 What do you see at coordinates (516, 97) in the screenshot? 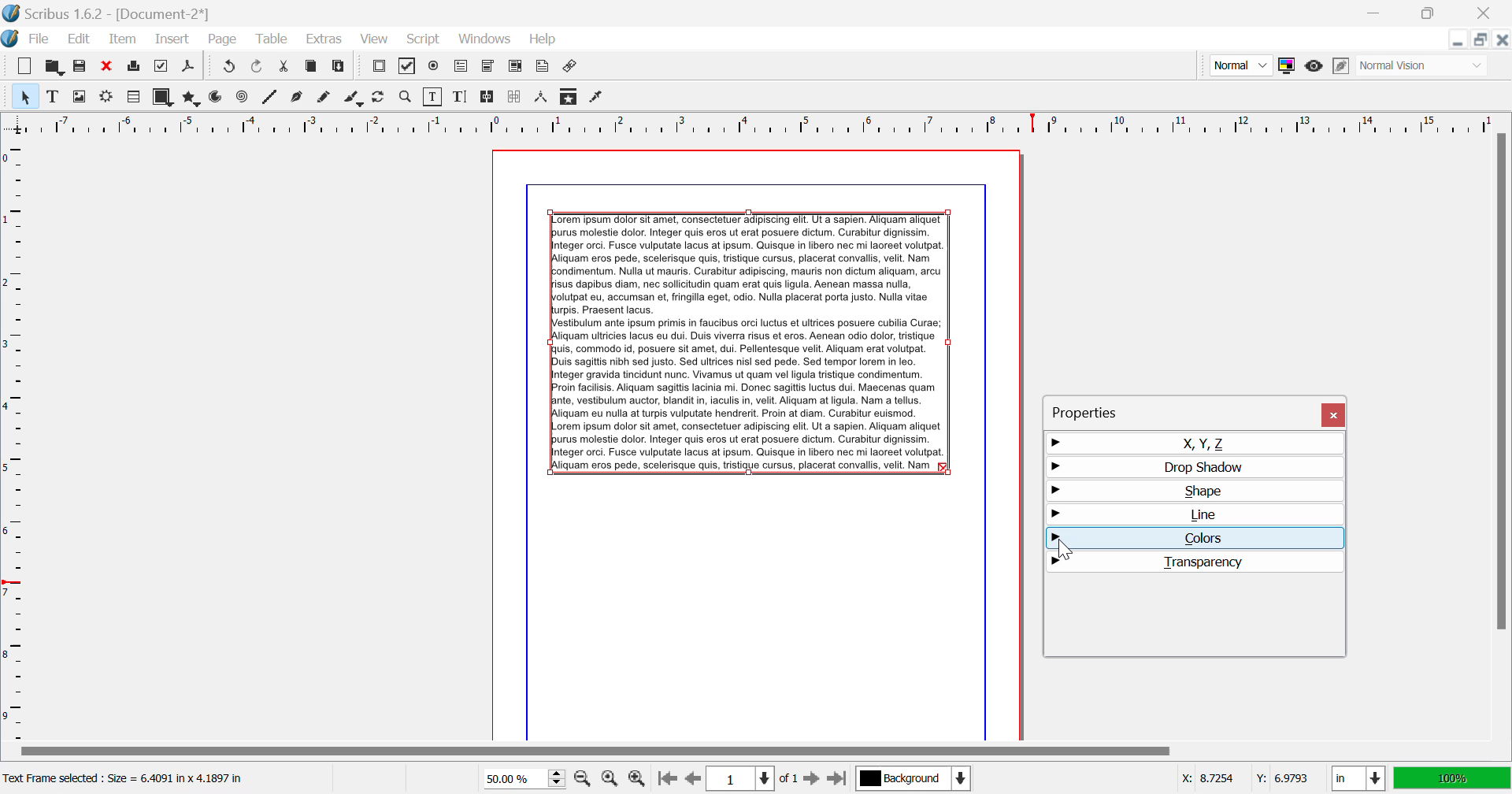
I see `Delink Frames` at bounding box center [516, 97].